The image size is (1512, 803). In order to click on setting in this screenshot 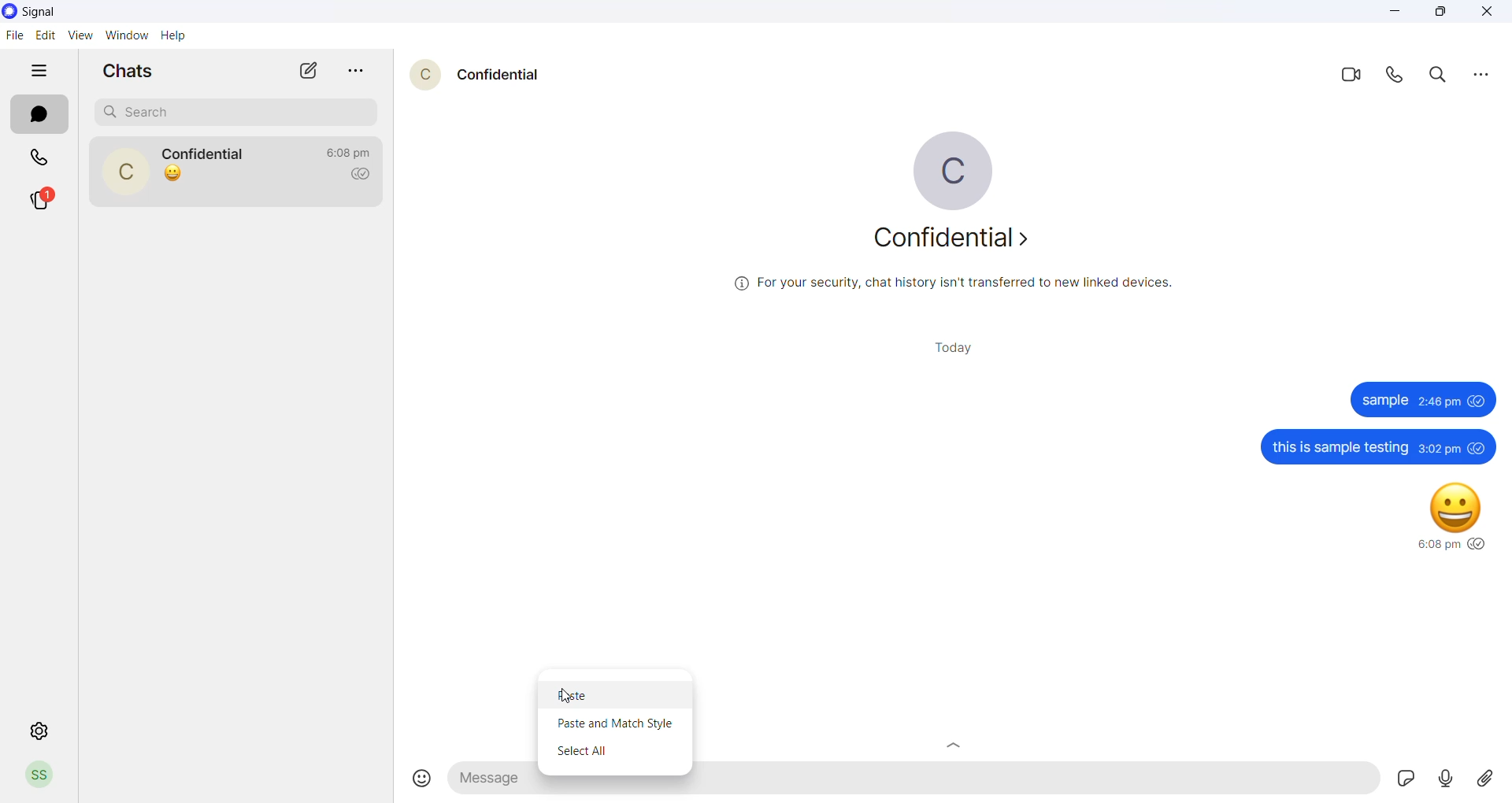, I will do `click(35, 731)`.